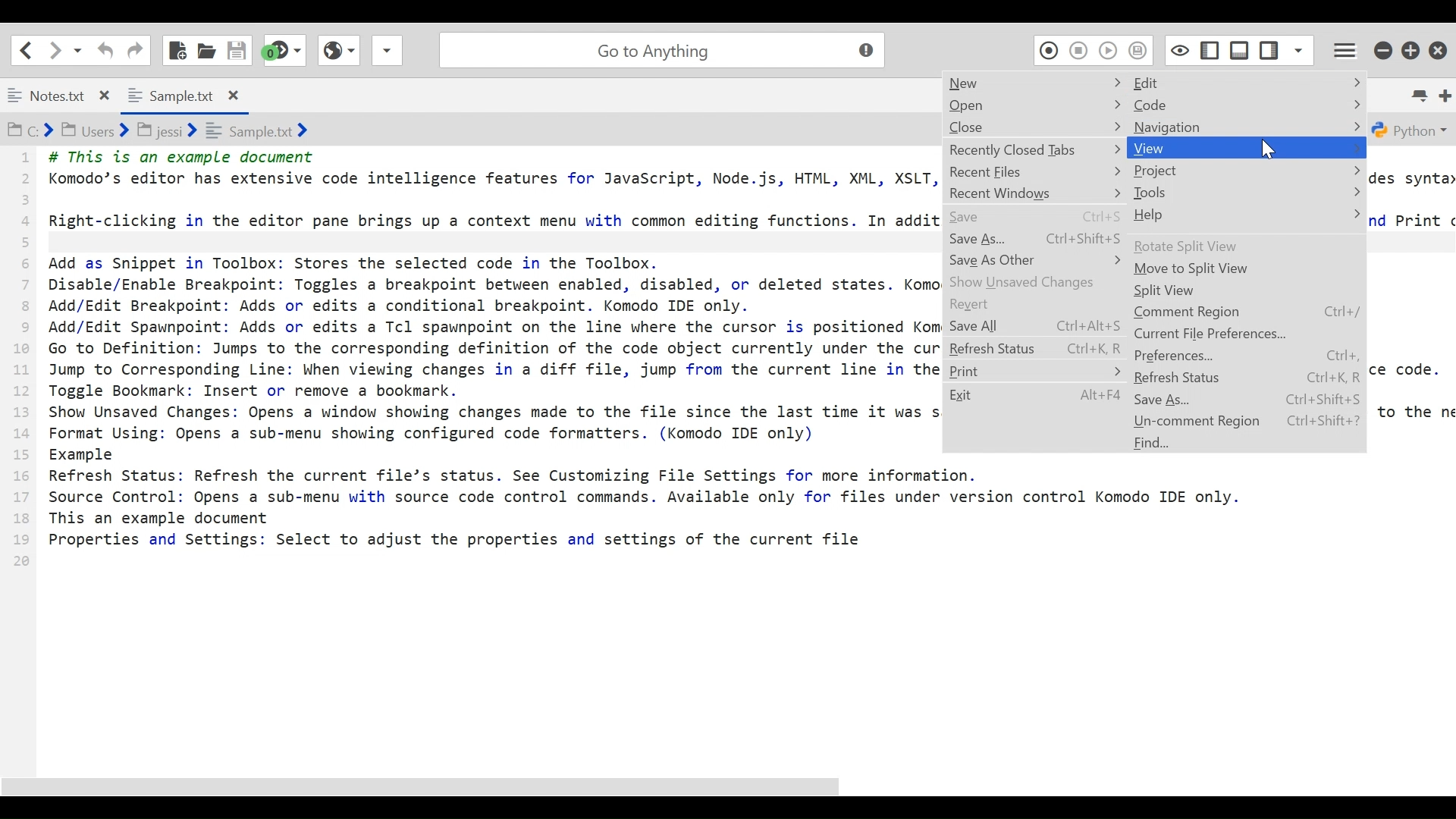 The width and height of the screenshot is (1456, 819). What do you see at coordinates (1249, 193) in the screenshot?
I see `Tools` at bounding box center [1249, 193].